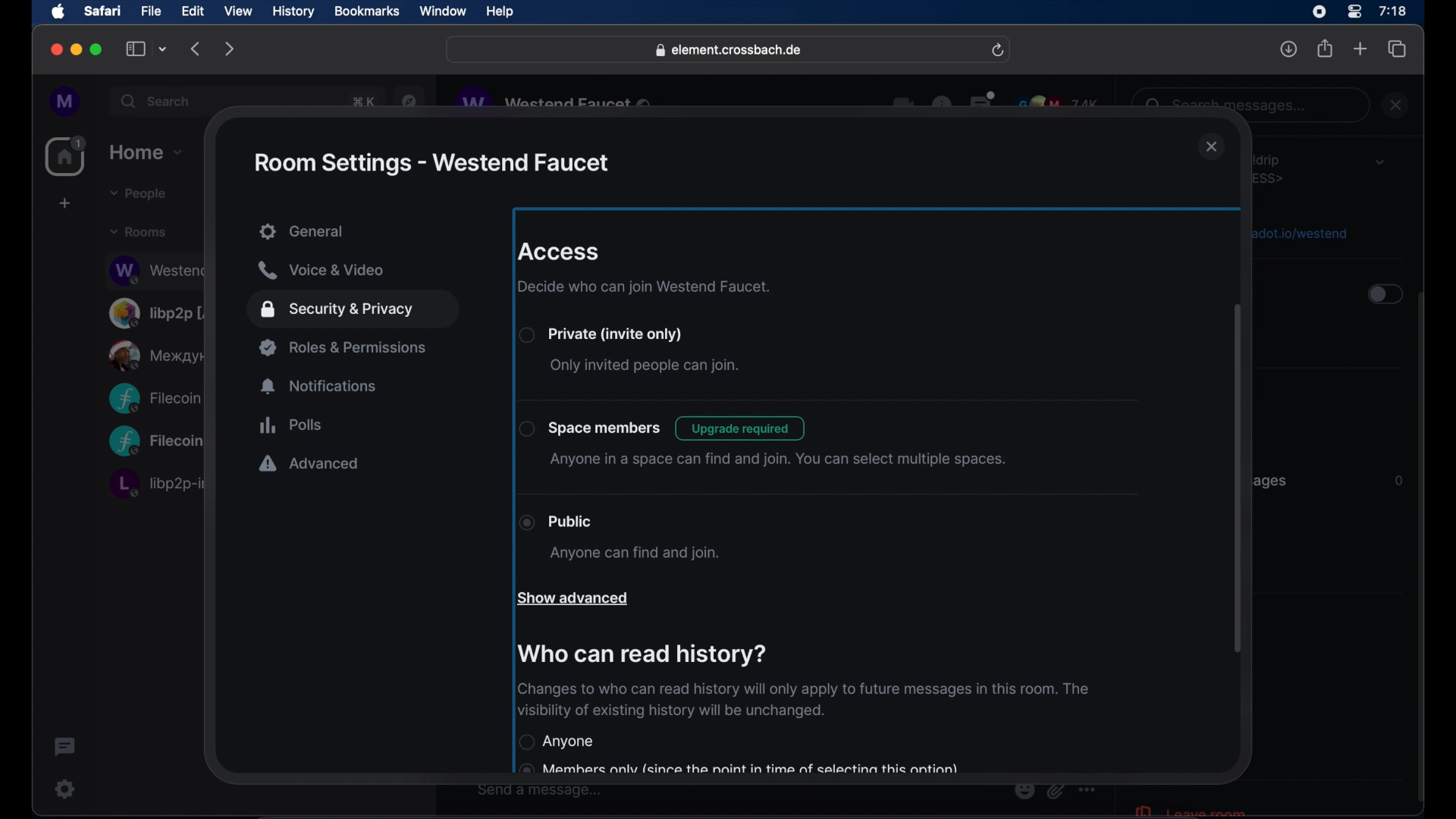  What do you see at coordinates (193, 11) in the screenshot?
I see `edit` at bounding box center [193, 11].